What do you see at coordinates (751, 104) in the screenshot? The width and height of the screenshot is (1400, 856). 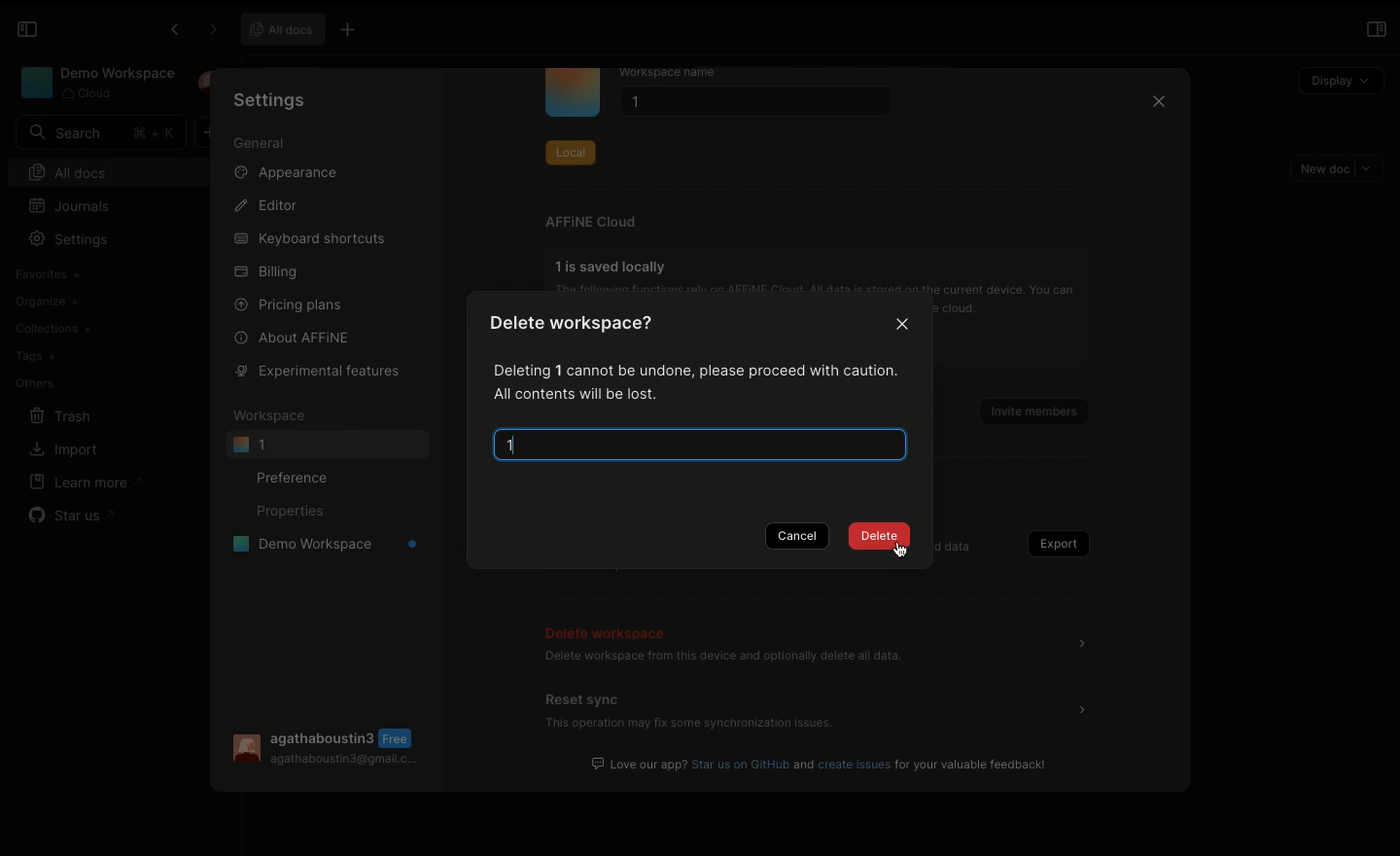 I see `1` at bounding box center [751, 104].